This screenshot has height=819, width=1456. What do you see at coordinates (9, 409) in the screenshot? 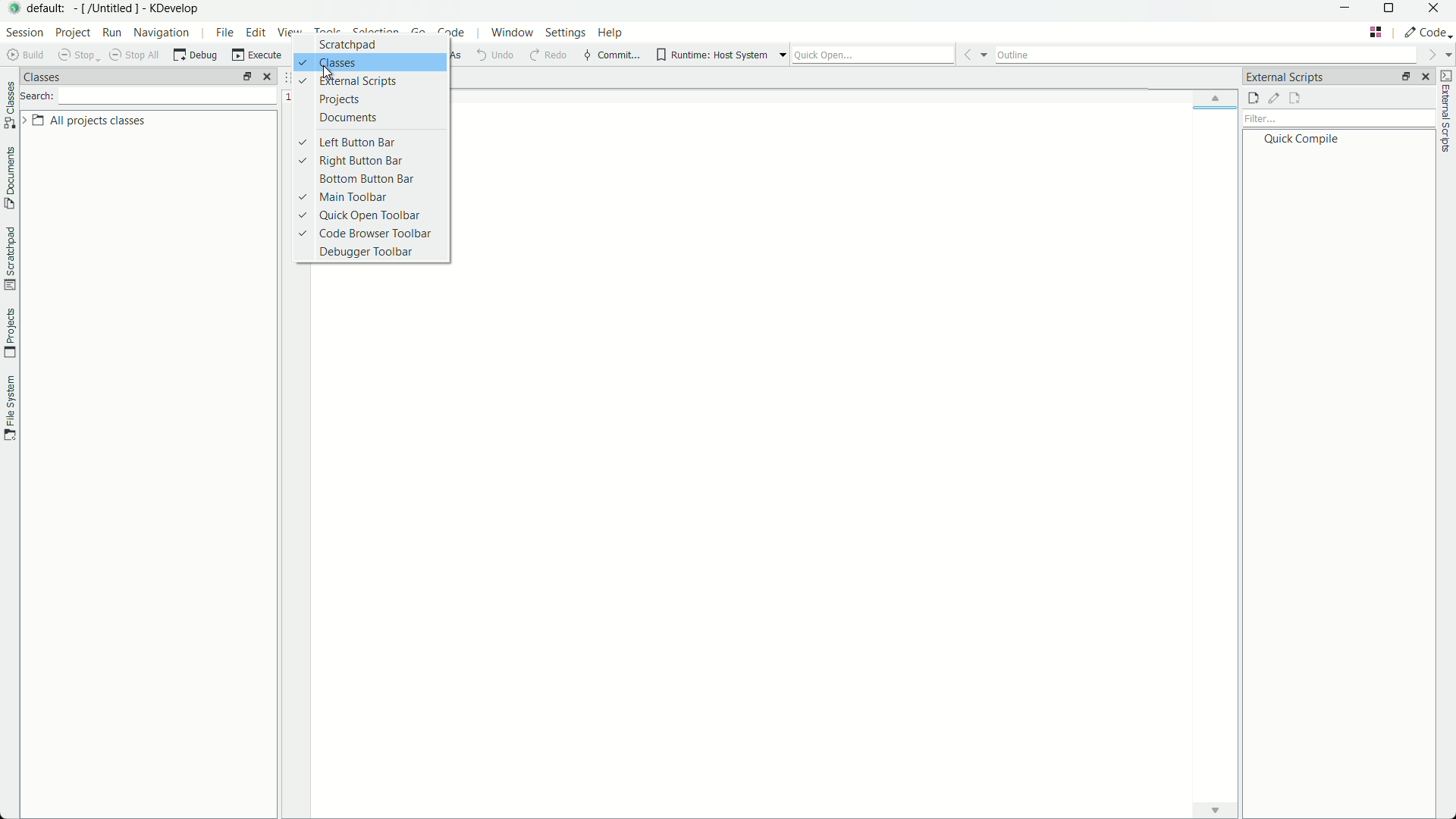
I see `file system` at bounding box center [9, 409].